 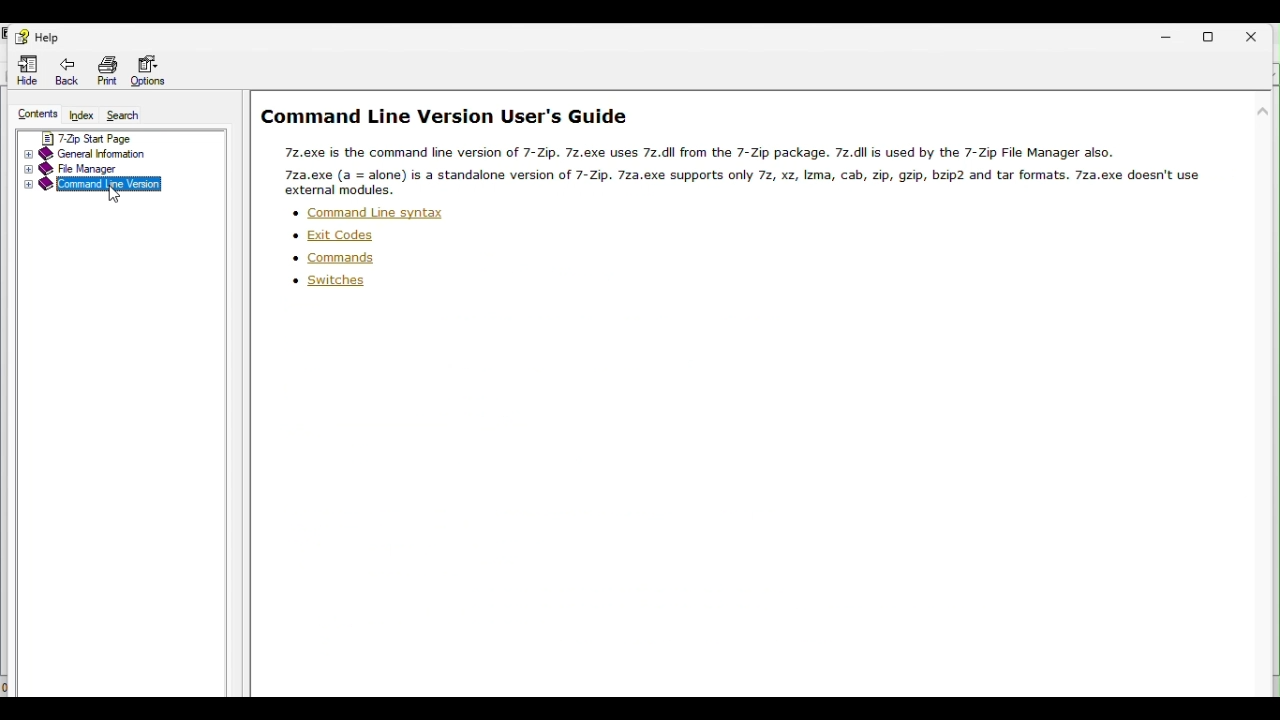 I want to click on Contents, so click(x=31, y=113).